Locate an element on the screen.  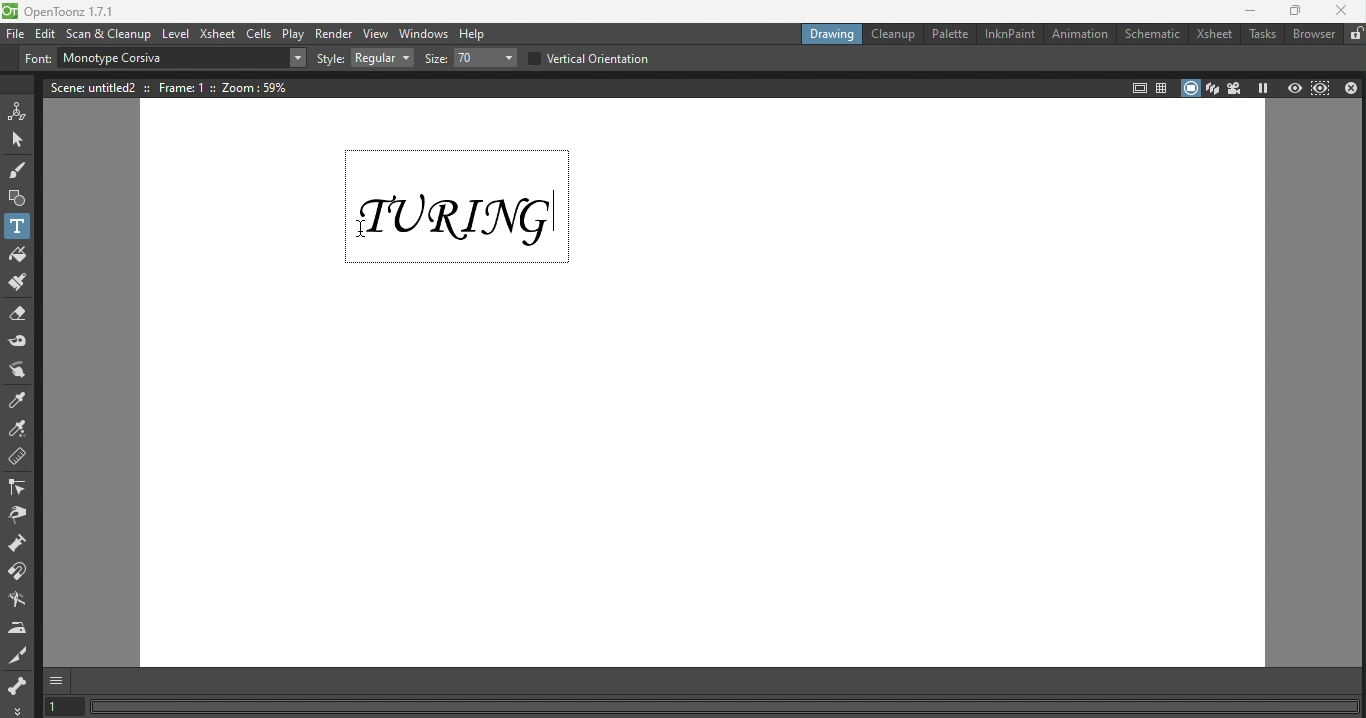
Eraser tool is located at coordinates (18, 312).